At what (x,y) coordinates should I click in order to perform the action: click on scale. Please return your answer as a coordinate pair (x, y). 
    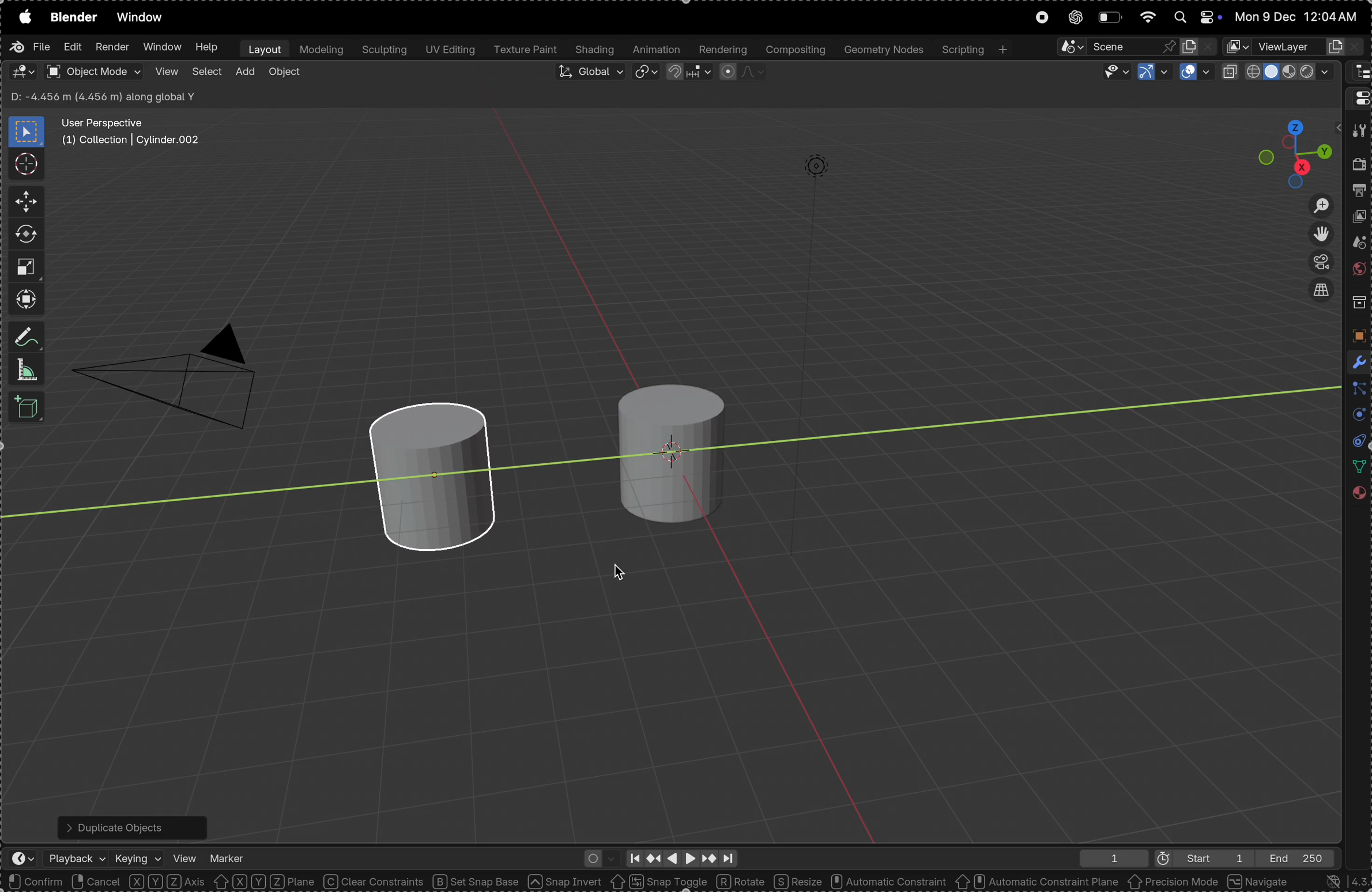
    Looking at the image, I should click on (25, 266).